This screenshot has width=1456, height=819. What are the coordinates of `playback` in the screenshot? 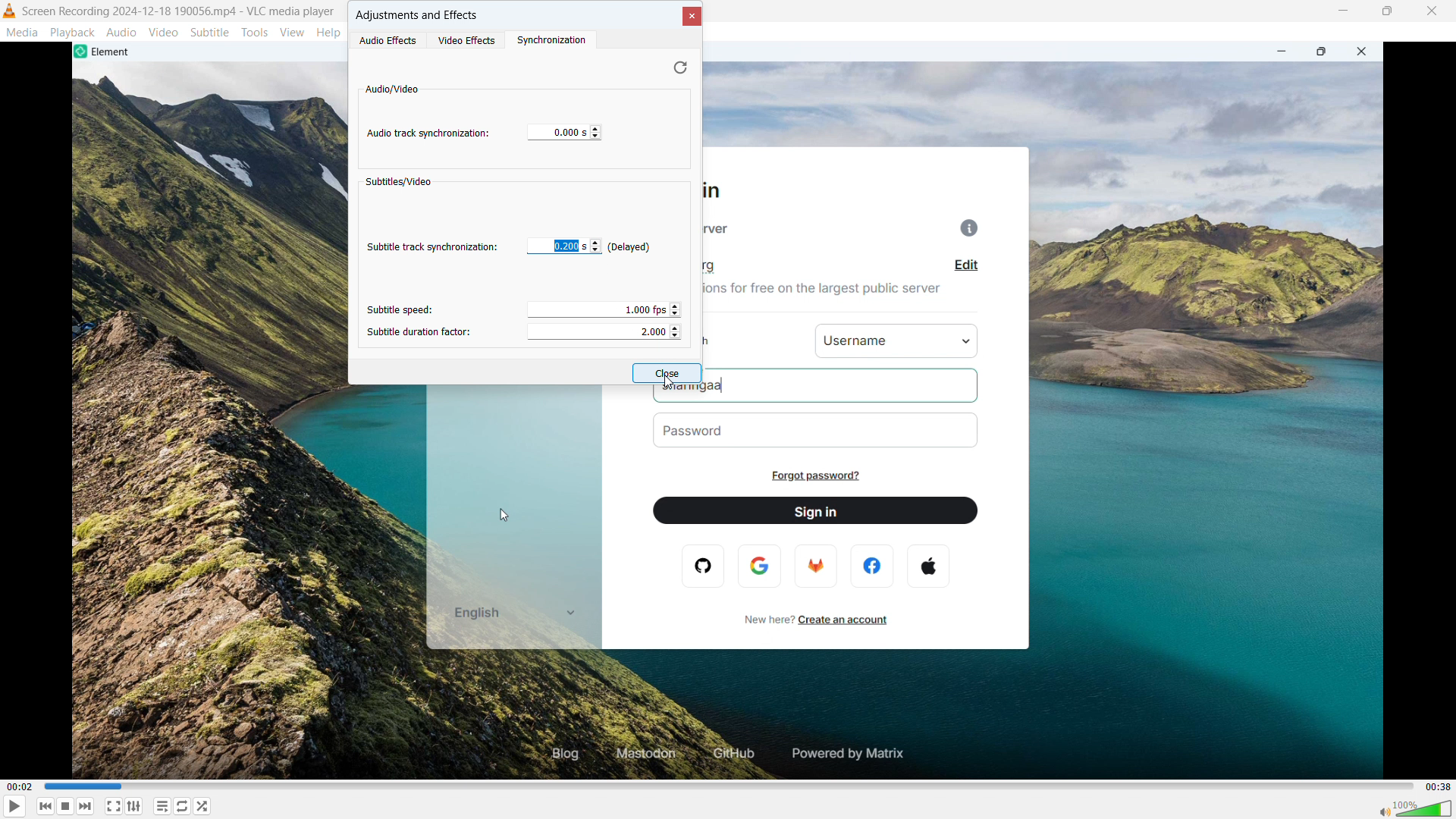 It's located at (73, 33).